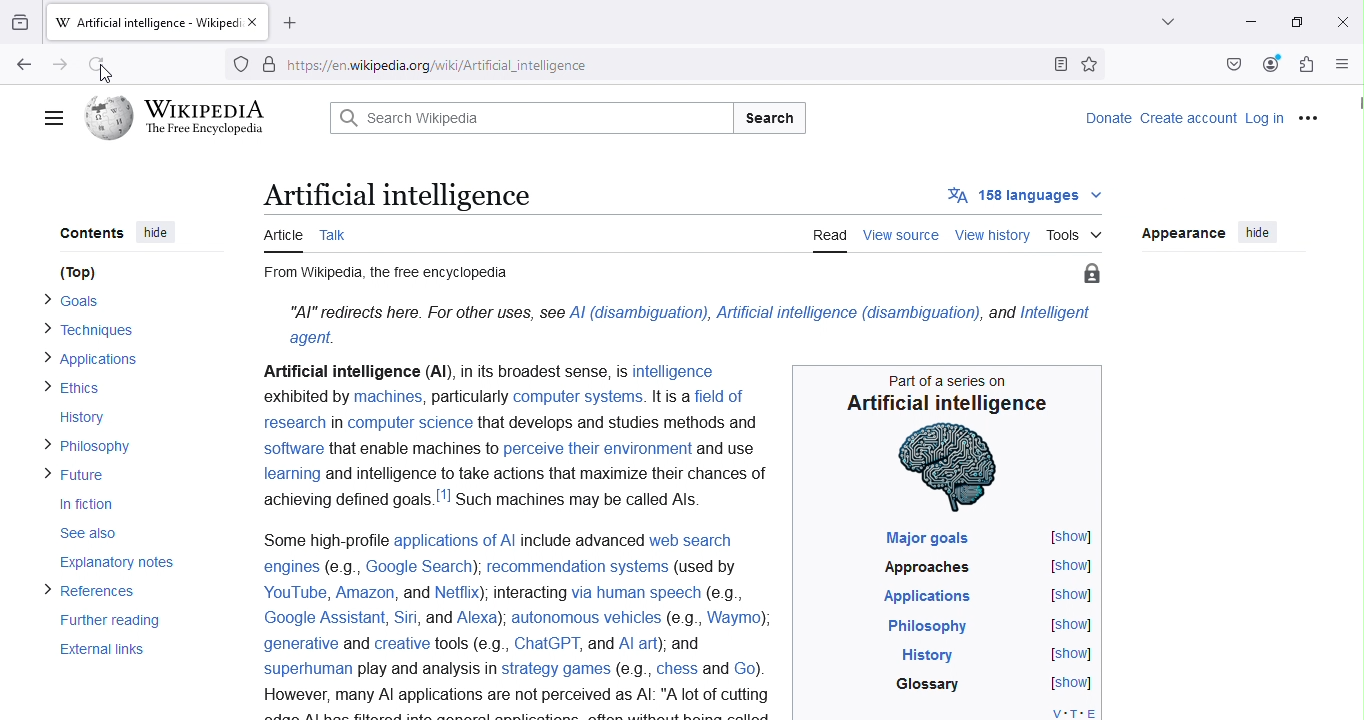 The image size is (1364, 720). What do you see at coordinates (1265, 119) in the screenshot?
I see `Log in` at bounding box center [1265, 119].